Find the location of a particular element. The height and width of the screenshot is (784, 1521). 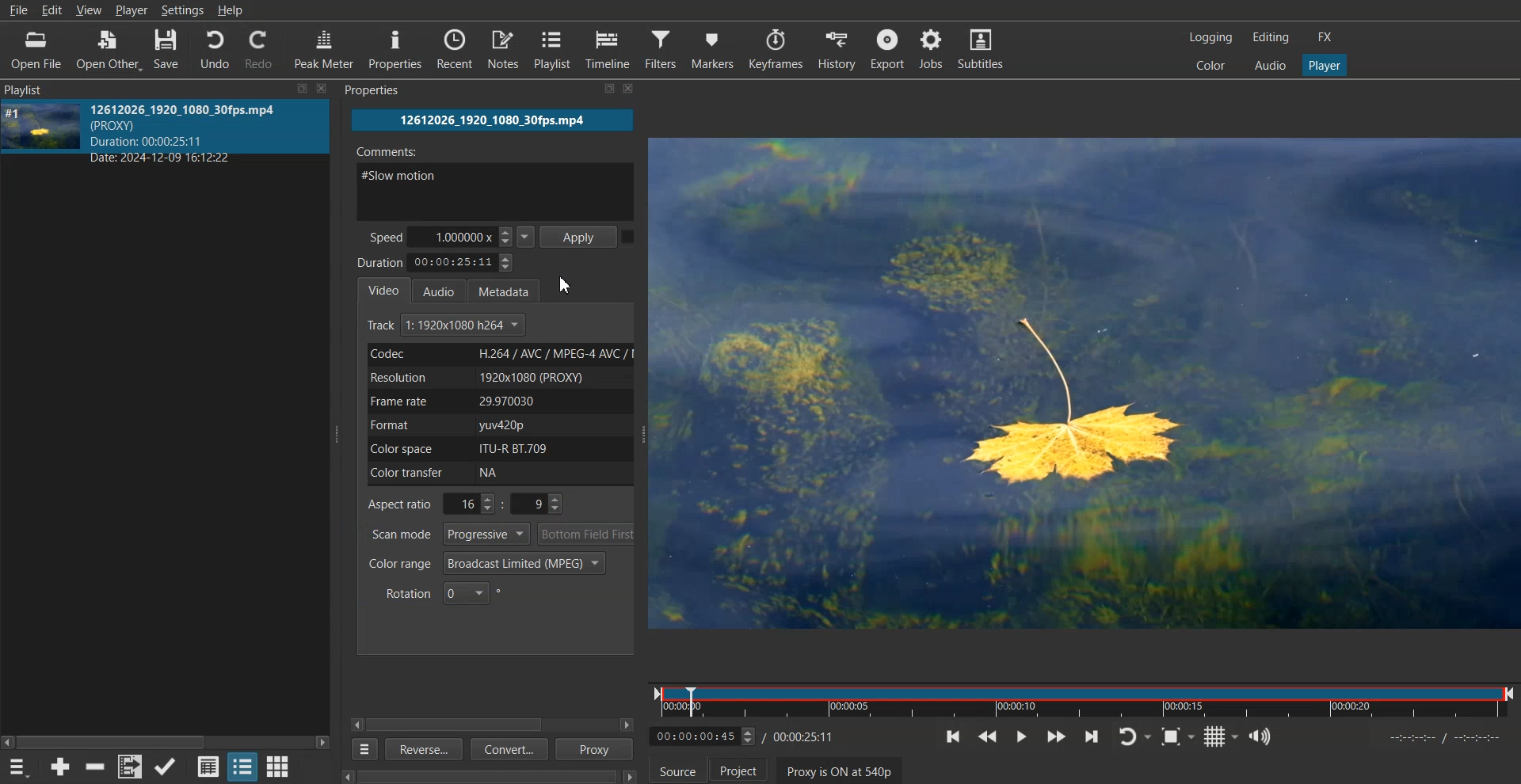

Save is located at coordinates (167, 48).